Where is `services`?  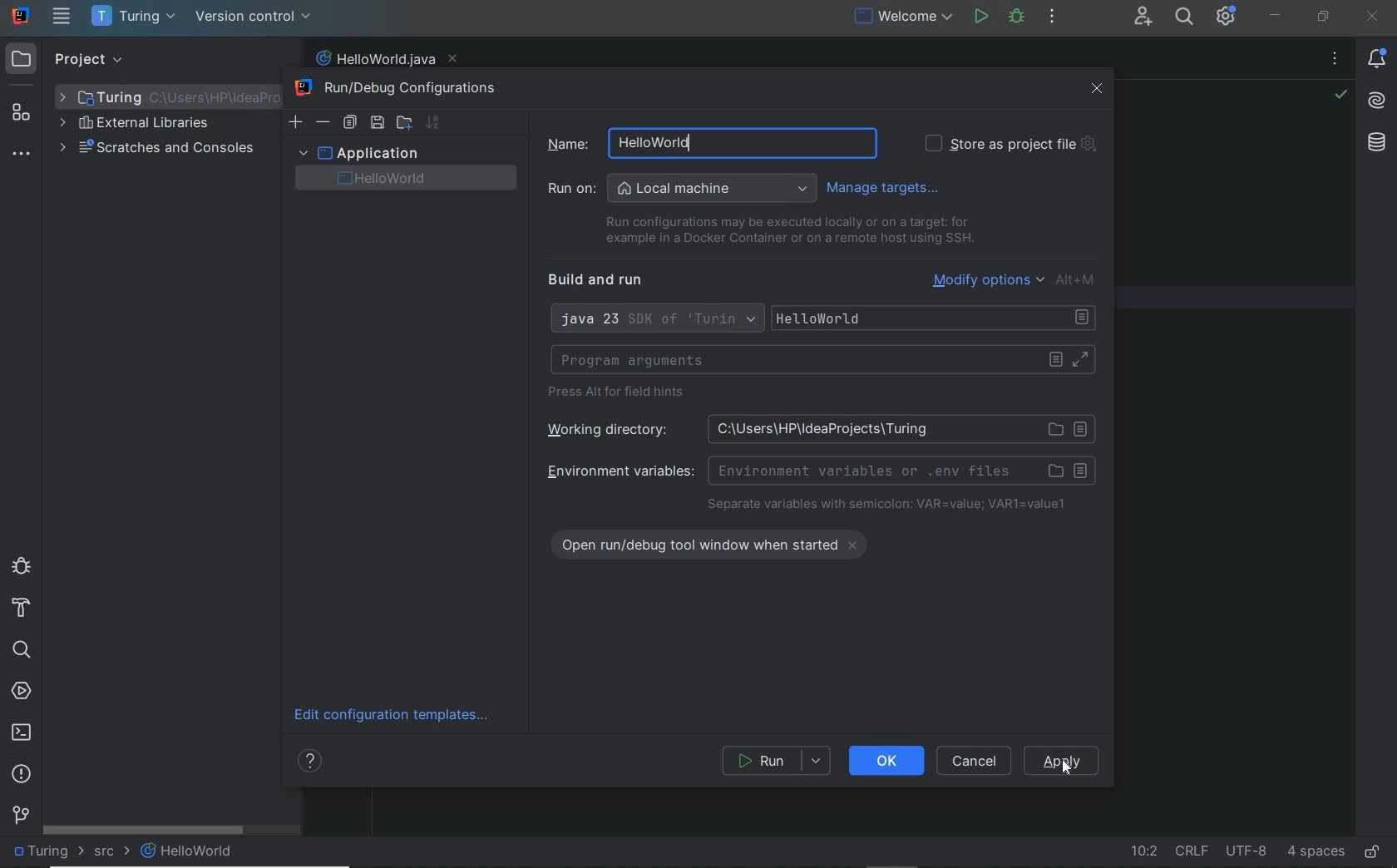
services is located at coordinates (22, 693).